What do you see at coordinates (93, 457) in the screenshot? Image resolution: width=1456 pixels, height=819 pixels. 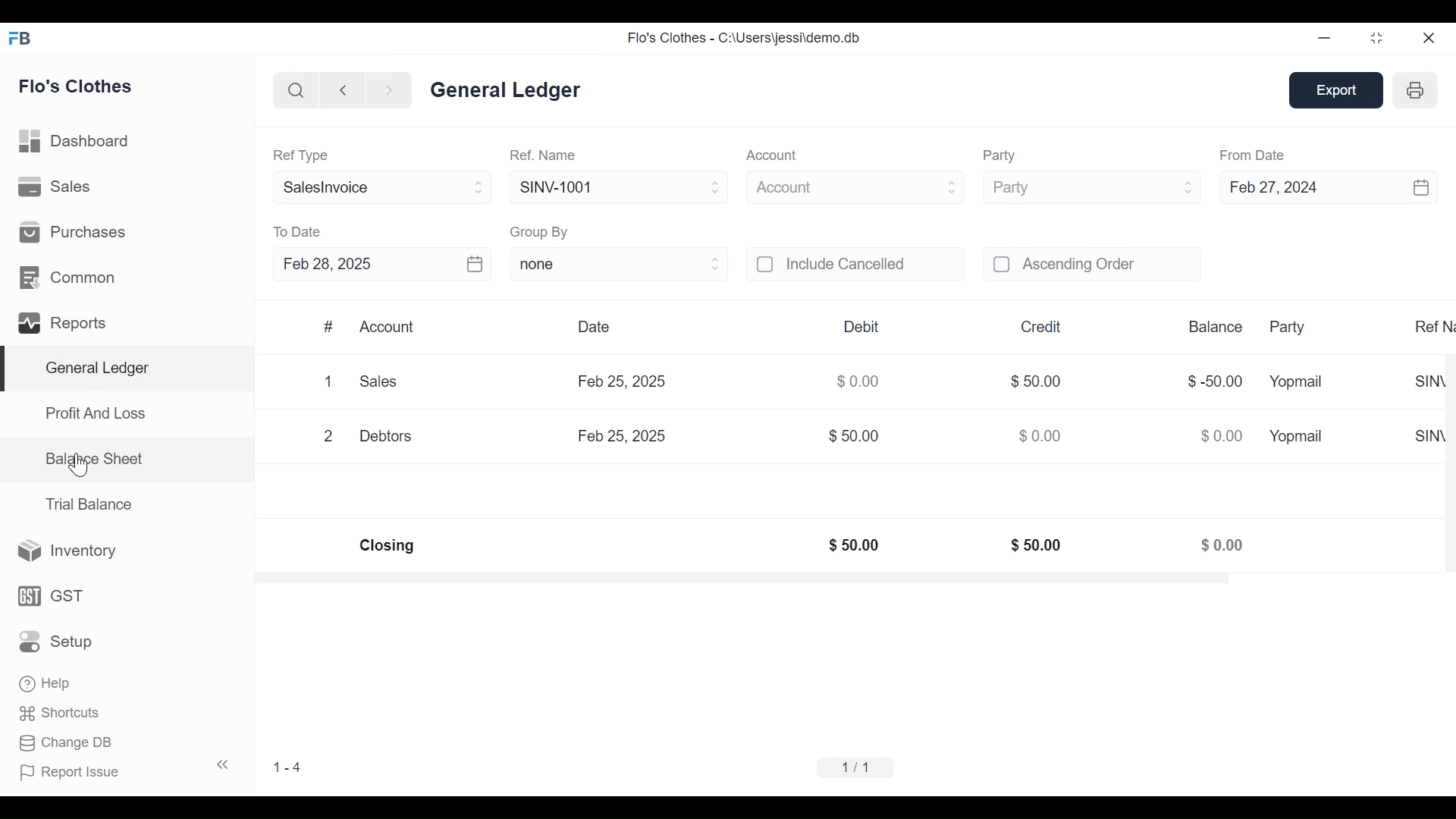 I see `Balance Sheet` at bounding box center [93, 457].